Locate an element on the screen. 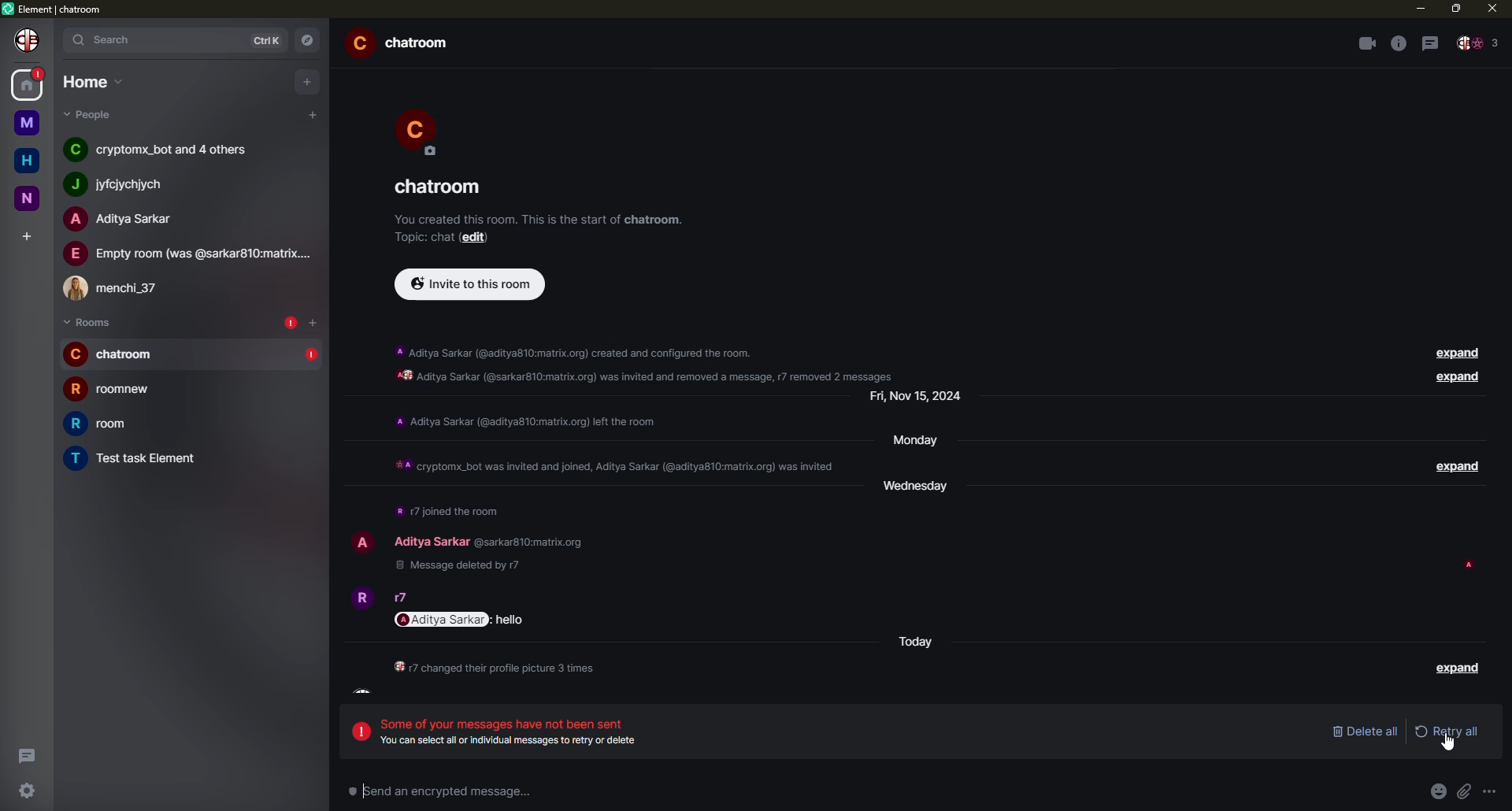 Image resolution: width=1512 pixels, height=811 pixels. add is located at coordinates (312, 115).